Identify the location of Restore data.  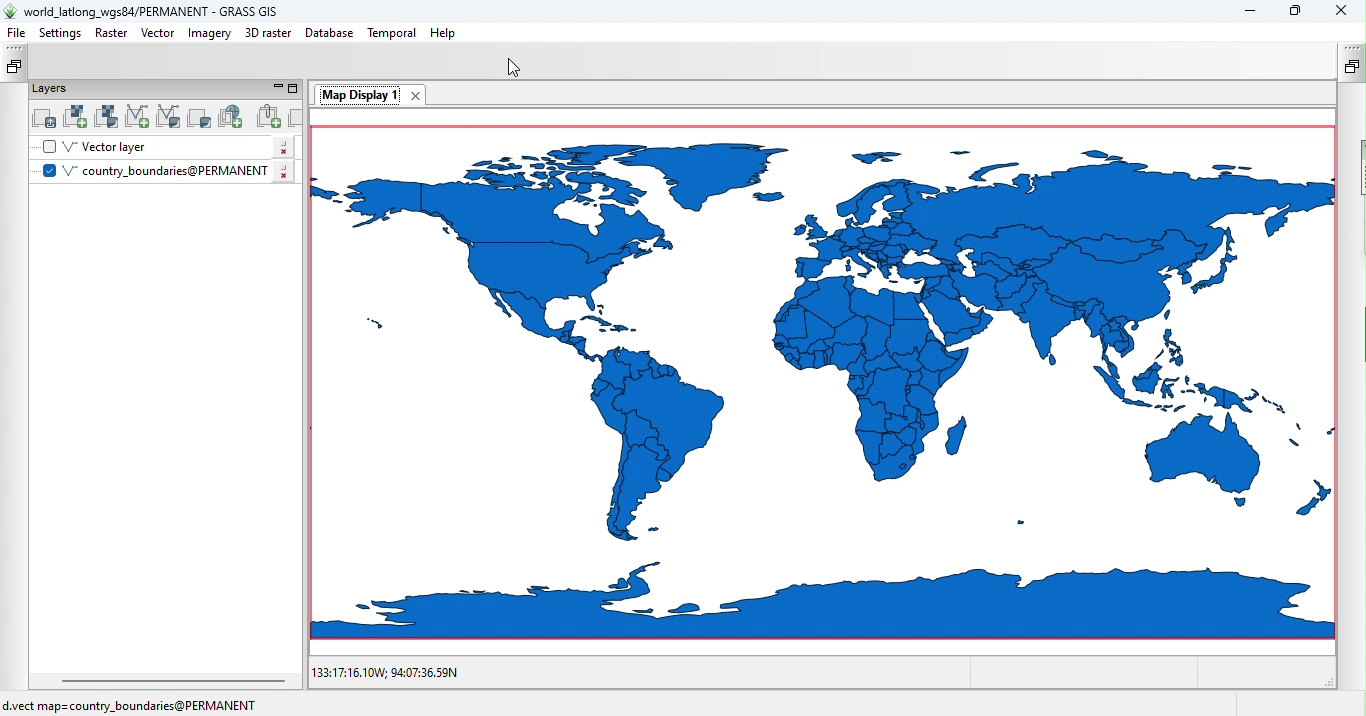
(16, 60).